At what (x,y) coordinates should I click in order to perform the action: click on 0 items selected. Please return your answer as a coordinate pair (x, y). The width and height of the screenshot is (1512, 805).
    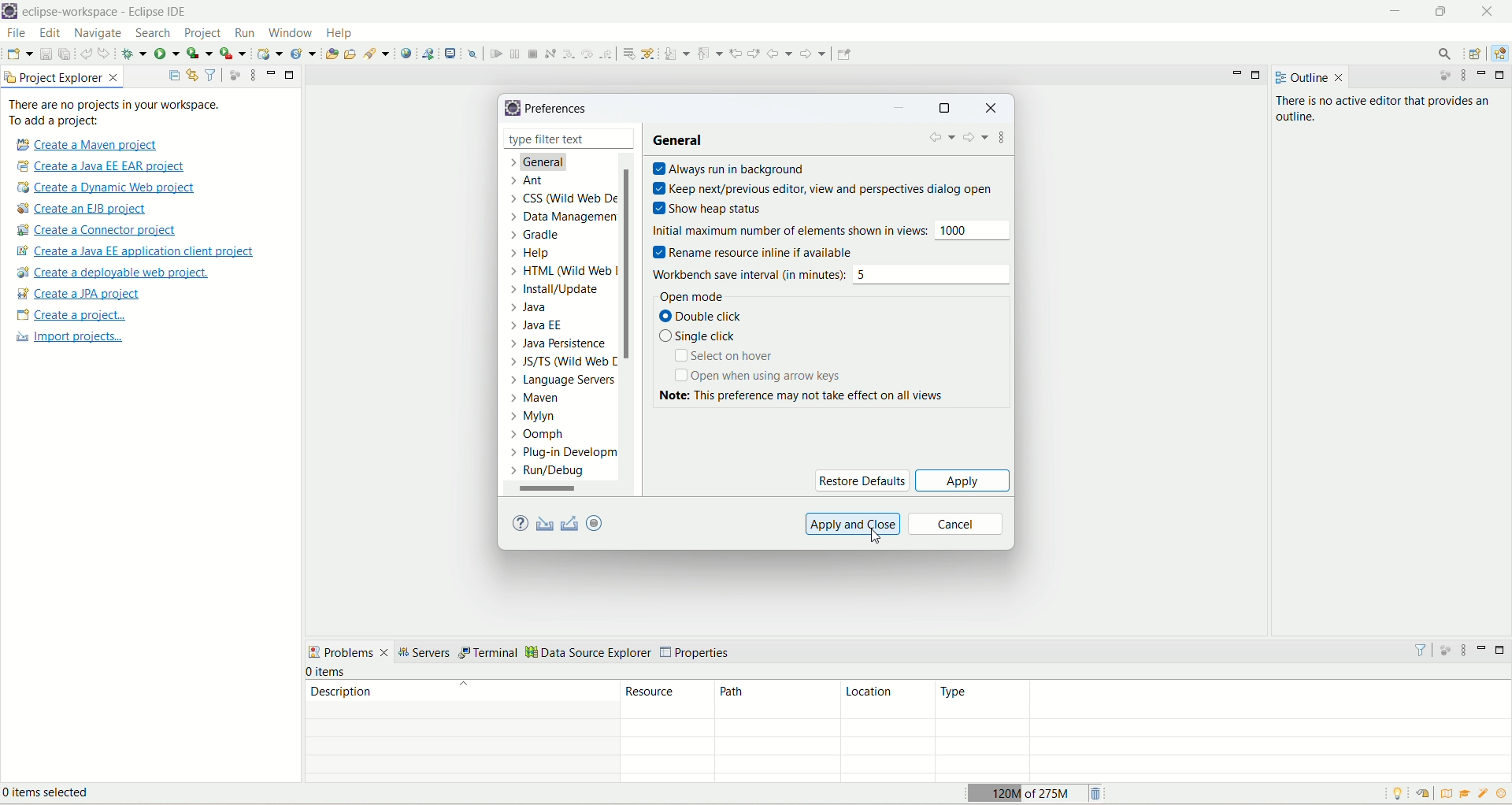
    Looking at the image, I should click on (57, 795).